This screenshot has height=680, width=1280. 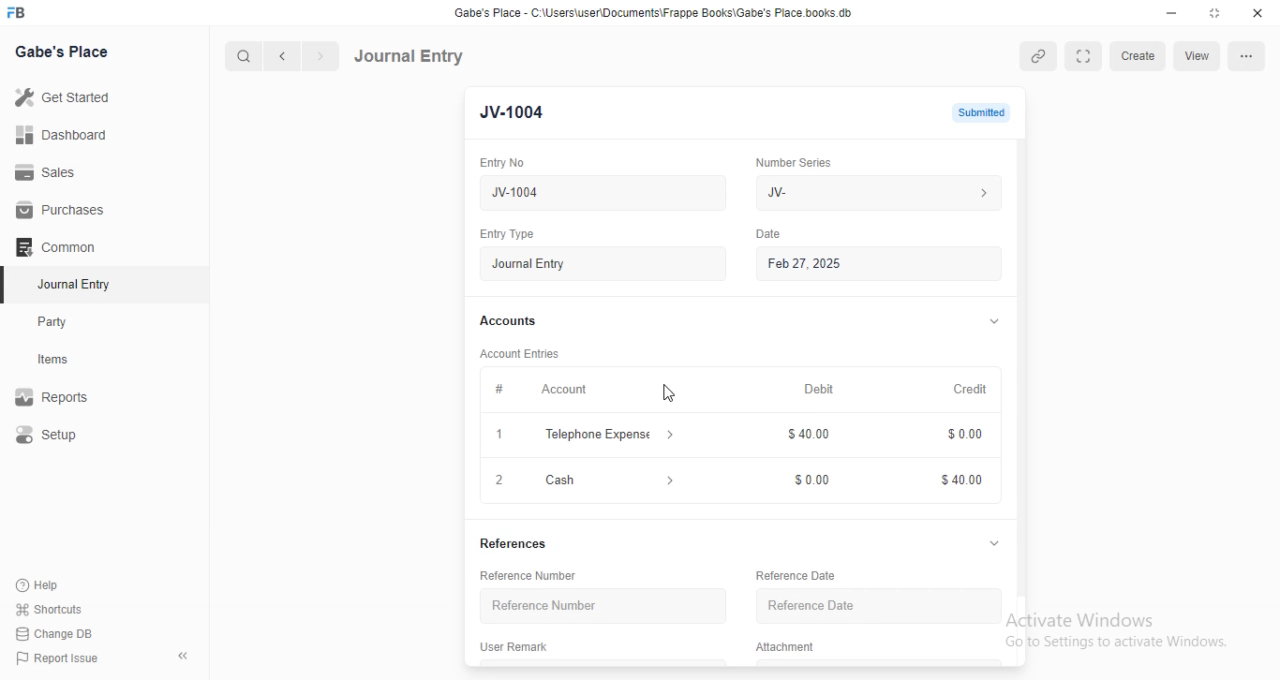 What do you see at coordinates (239, 56) in the screenshot?
I see `Search` at bounding box center [239, 56].